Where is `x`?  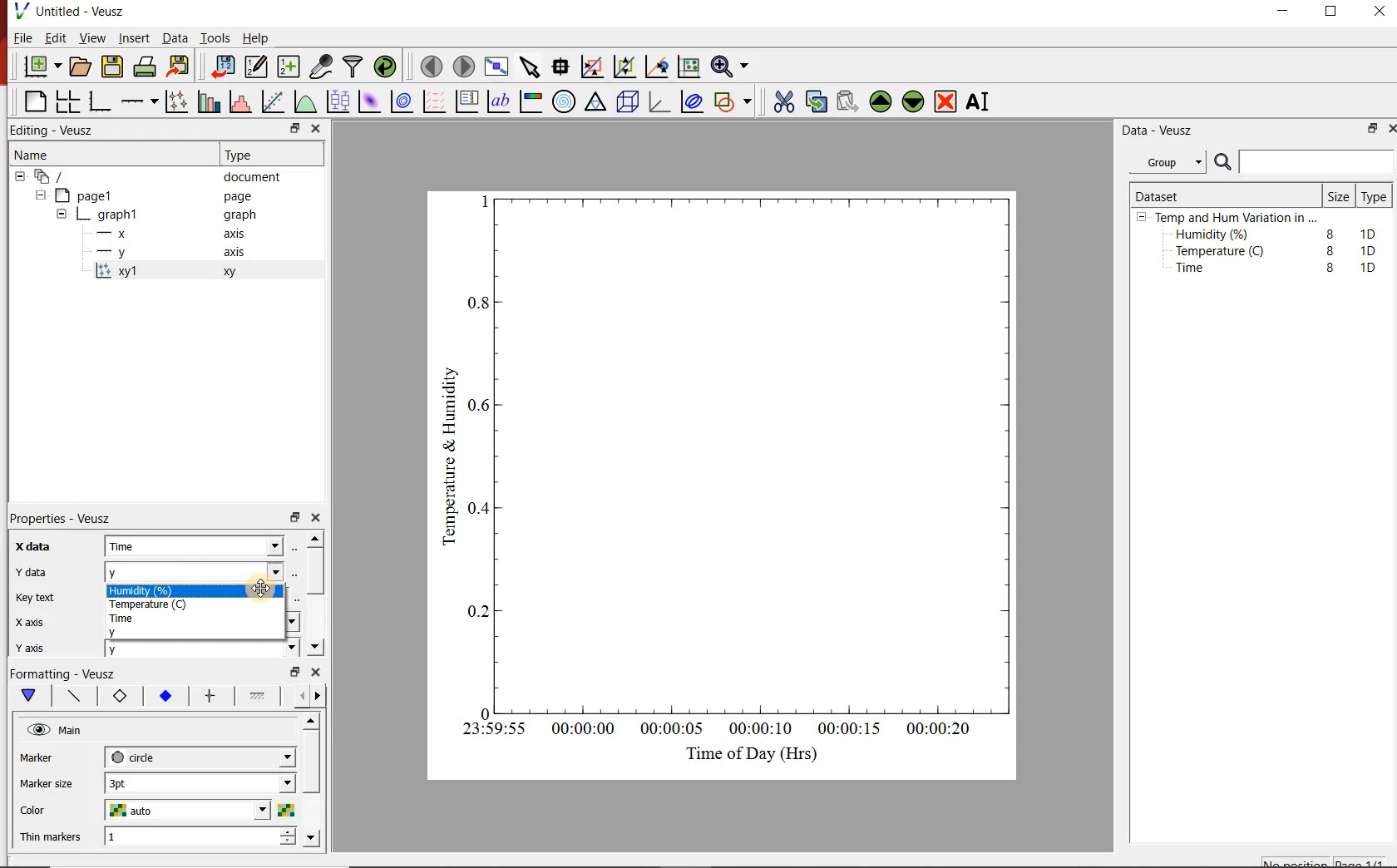
x is located at coordinates (120, 234).